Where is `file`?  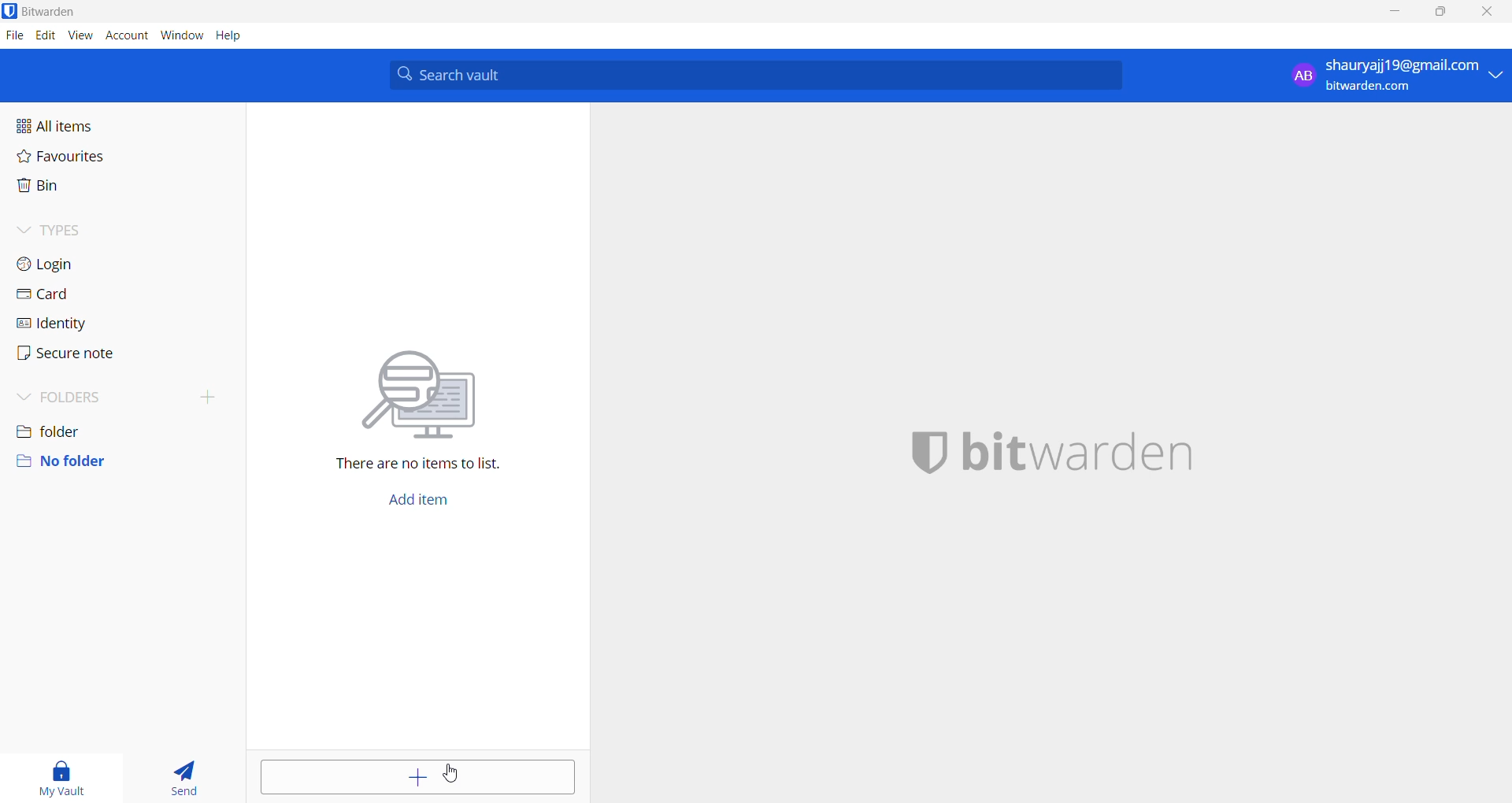
file is located at coordinates (13, 37).